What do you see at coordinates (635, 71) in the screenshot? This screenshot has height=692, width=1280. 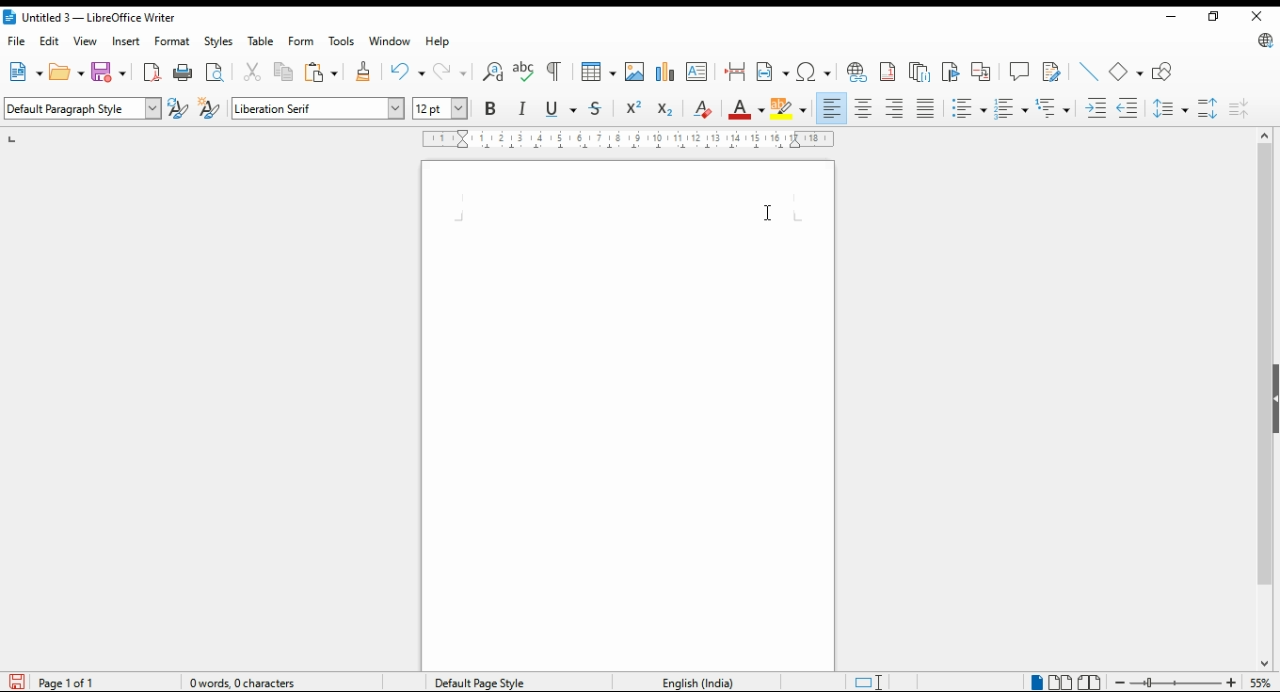 I see `insert image` at bounding box center [635, 71].